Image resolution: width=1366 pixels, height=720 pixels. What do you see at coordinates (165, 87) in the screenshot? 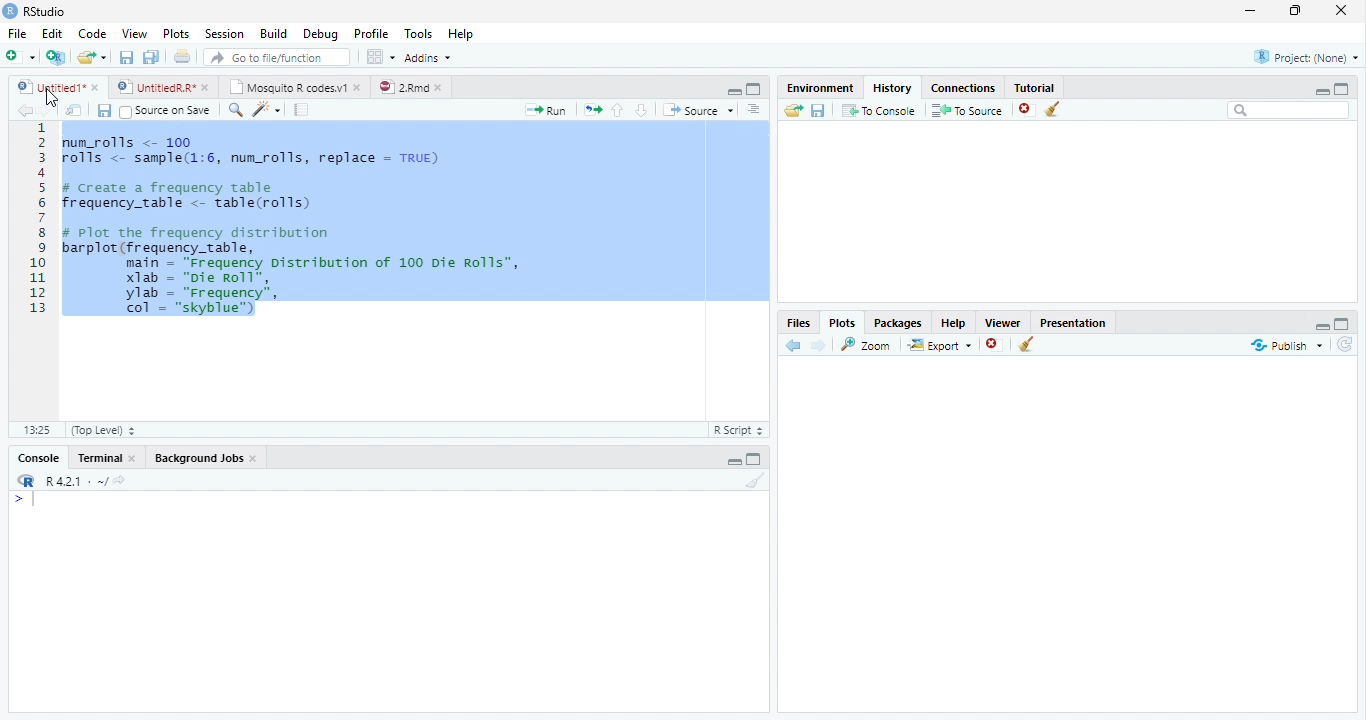
I see `© UntitedRR* *` at bounding box center [165, 87].